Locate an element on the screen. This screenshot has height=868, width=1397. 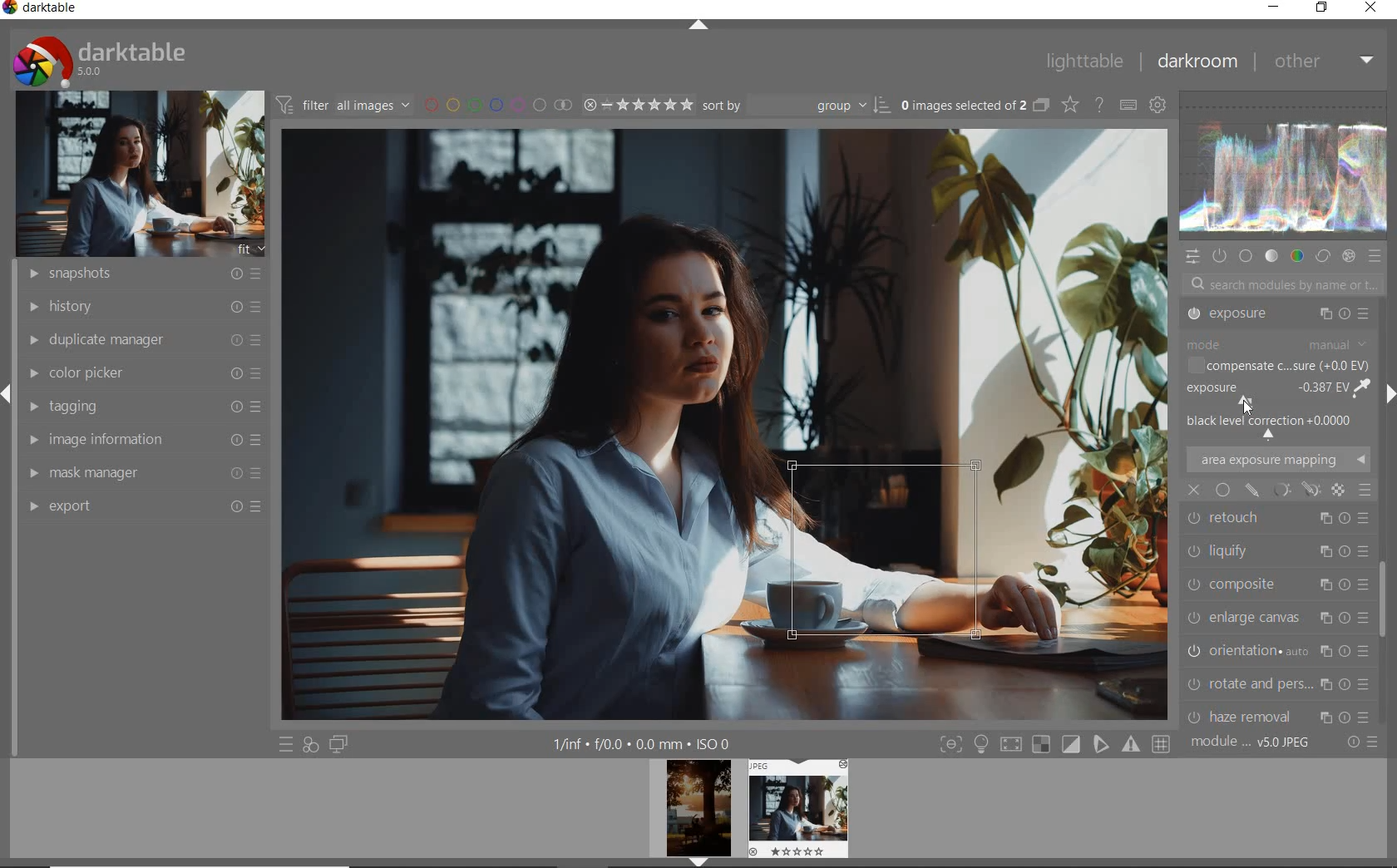
CHROMATIC ABER is located at coordinates (1276, 650).